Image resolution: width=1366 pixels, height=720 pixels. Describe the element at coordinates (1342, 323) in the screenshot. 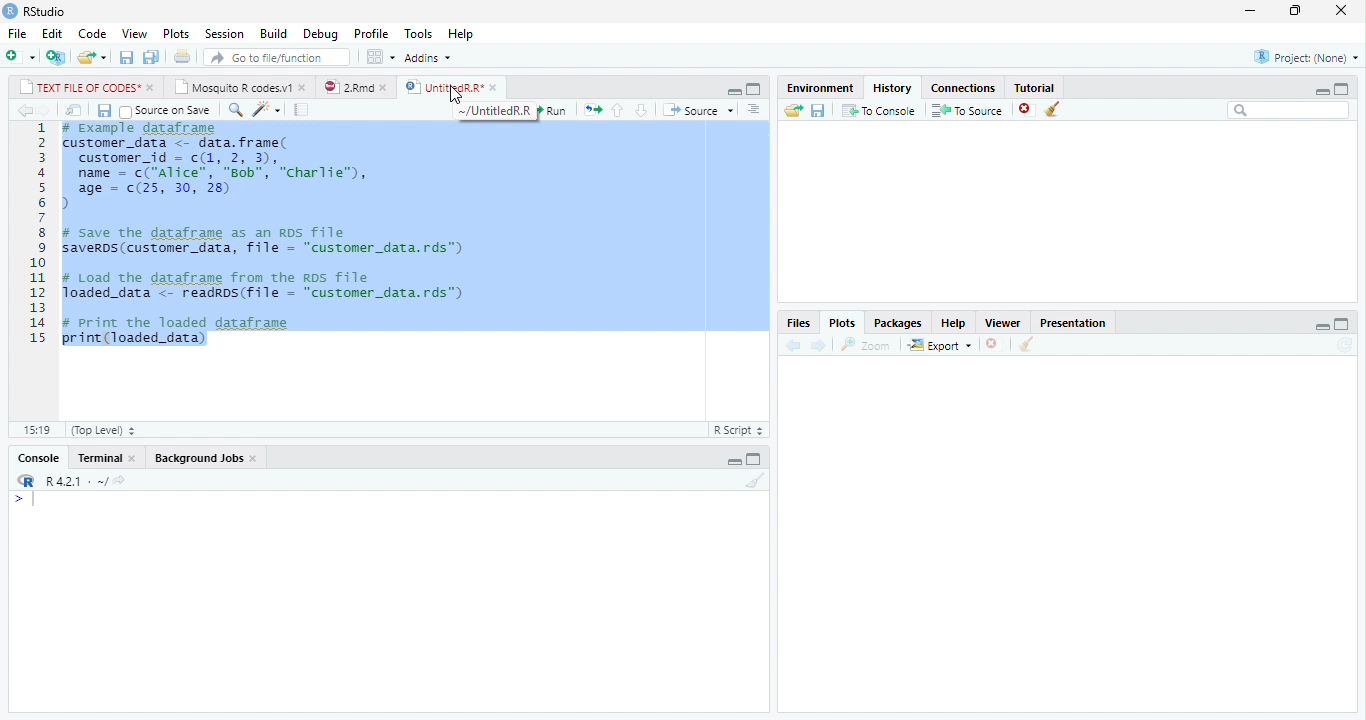

I see `maximize` at that location.